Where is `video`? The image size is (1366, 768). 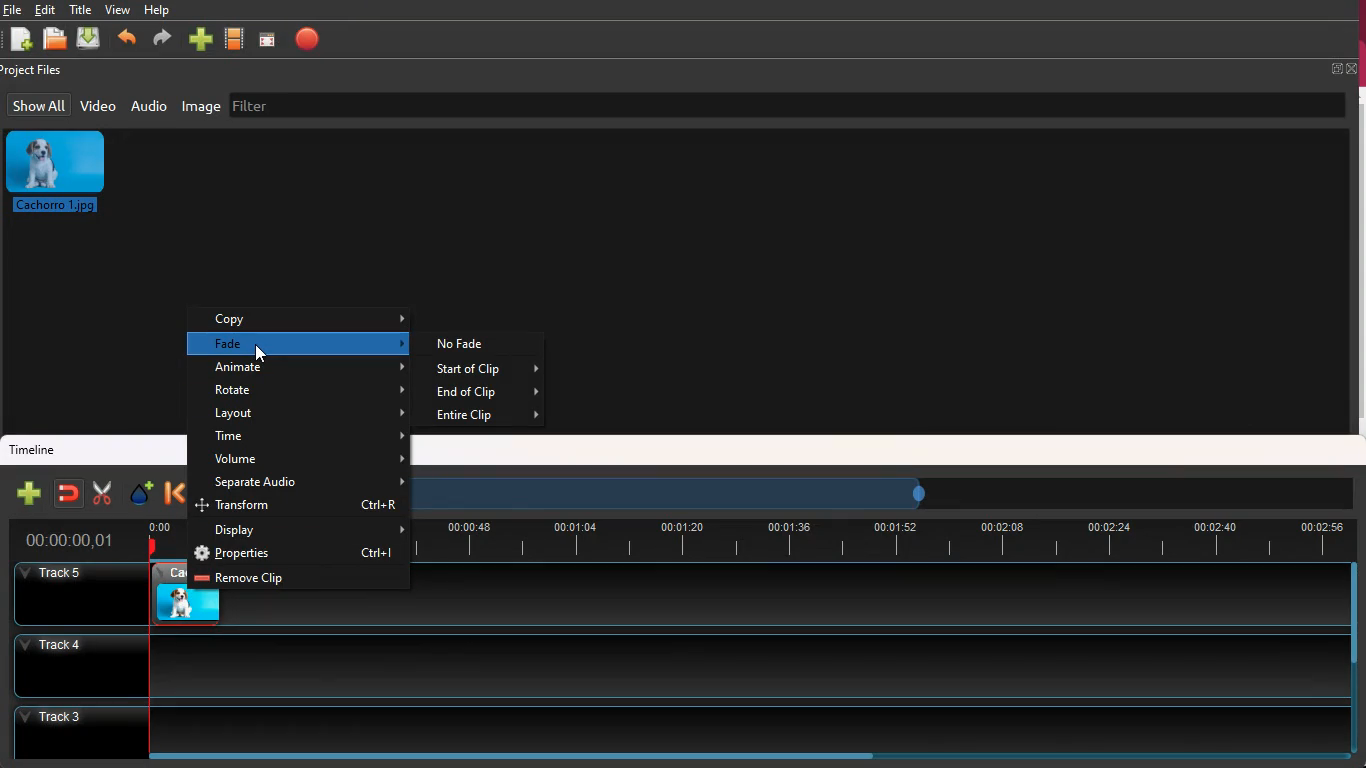
video is located at coordinates (99, 105).